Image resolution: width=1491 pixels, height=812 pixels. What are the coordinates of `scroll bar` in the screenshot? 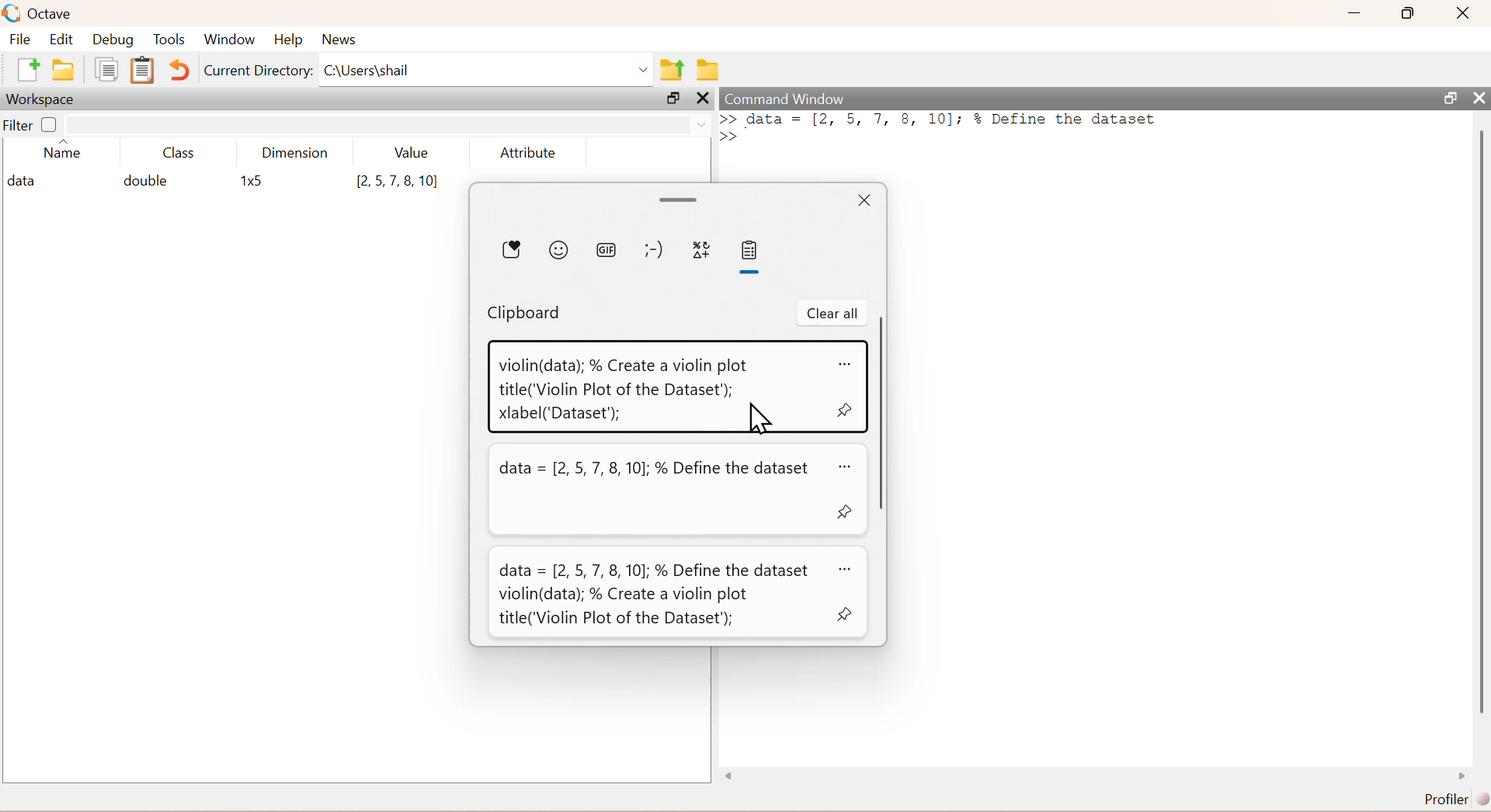 It's located at (882, 411).